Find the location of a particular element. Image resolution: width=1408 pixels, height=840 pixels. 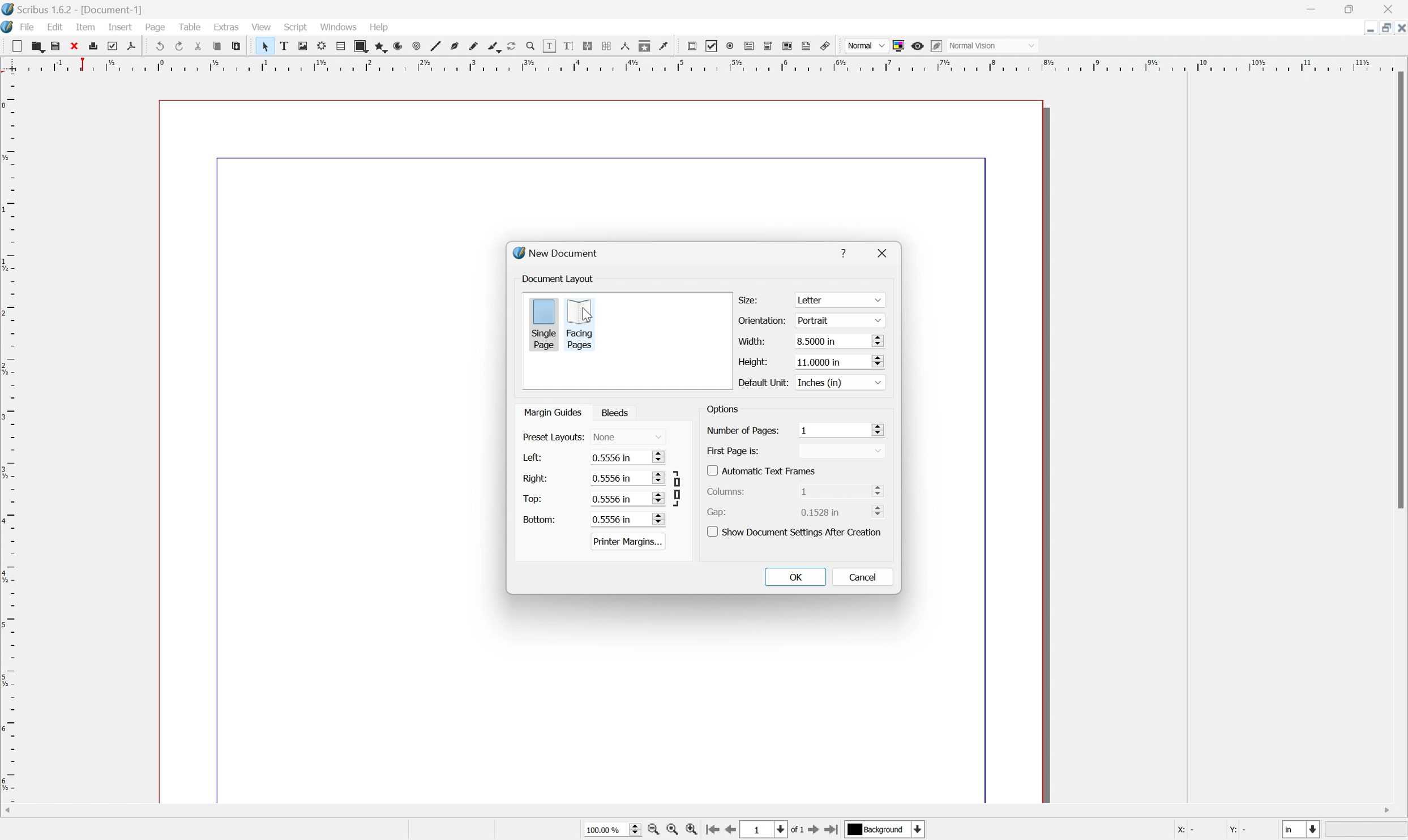

height: is located at coordinates (751, 361).